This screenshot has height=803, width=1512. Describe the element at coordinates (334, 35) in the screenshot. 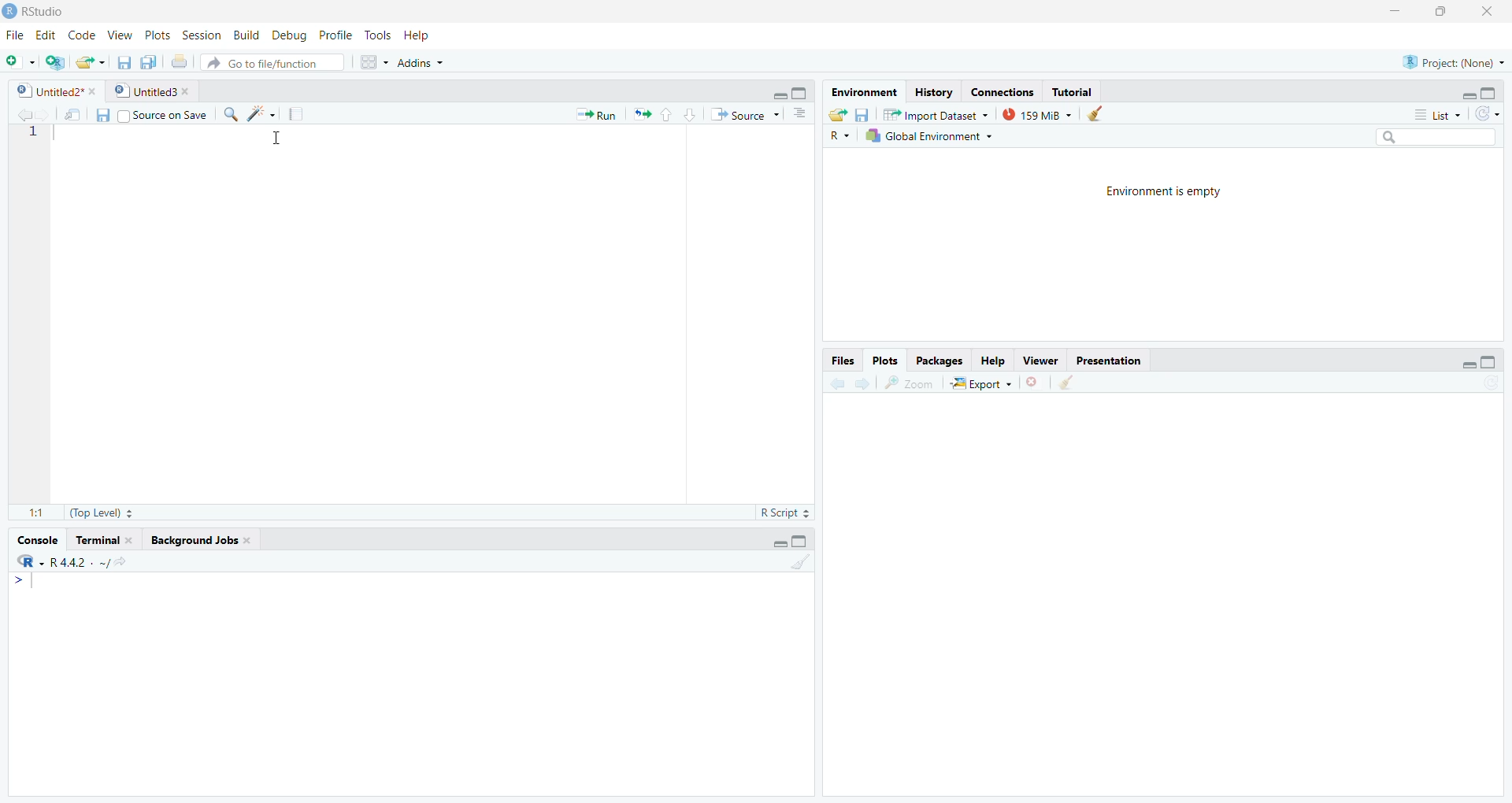

I see `Profile` at that location.